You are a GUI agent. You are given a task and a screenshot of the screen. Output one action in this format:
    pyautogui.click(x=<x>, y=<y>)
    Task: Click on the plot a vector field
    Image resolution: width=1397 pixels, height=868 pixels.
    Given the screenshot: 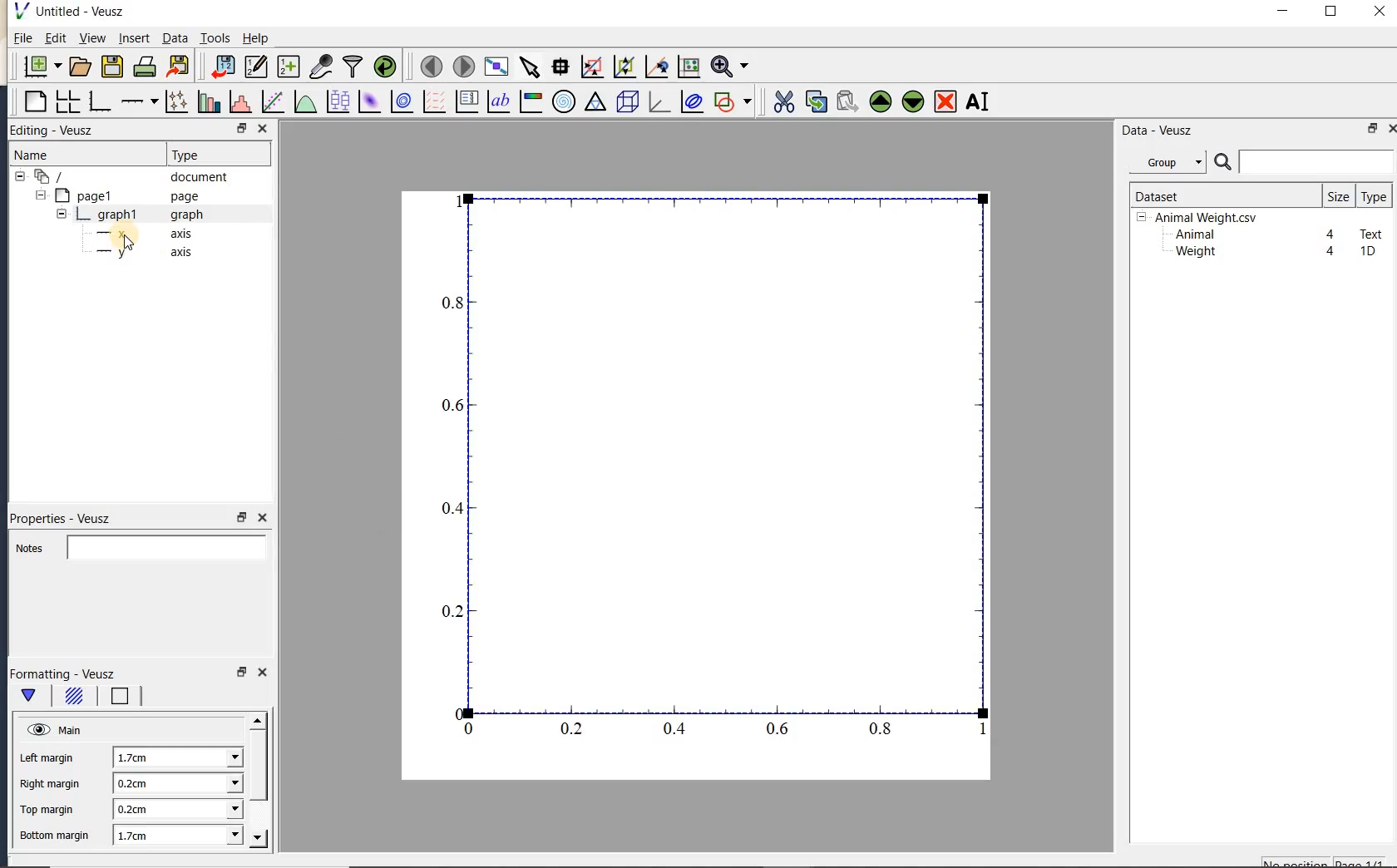 What is the action you would take?
    pyautogui.click(x=432, y=102)
    